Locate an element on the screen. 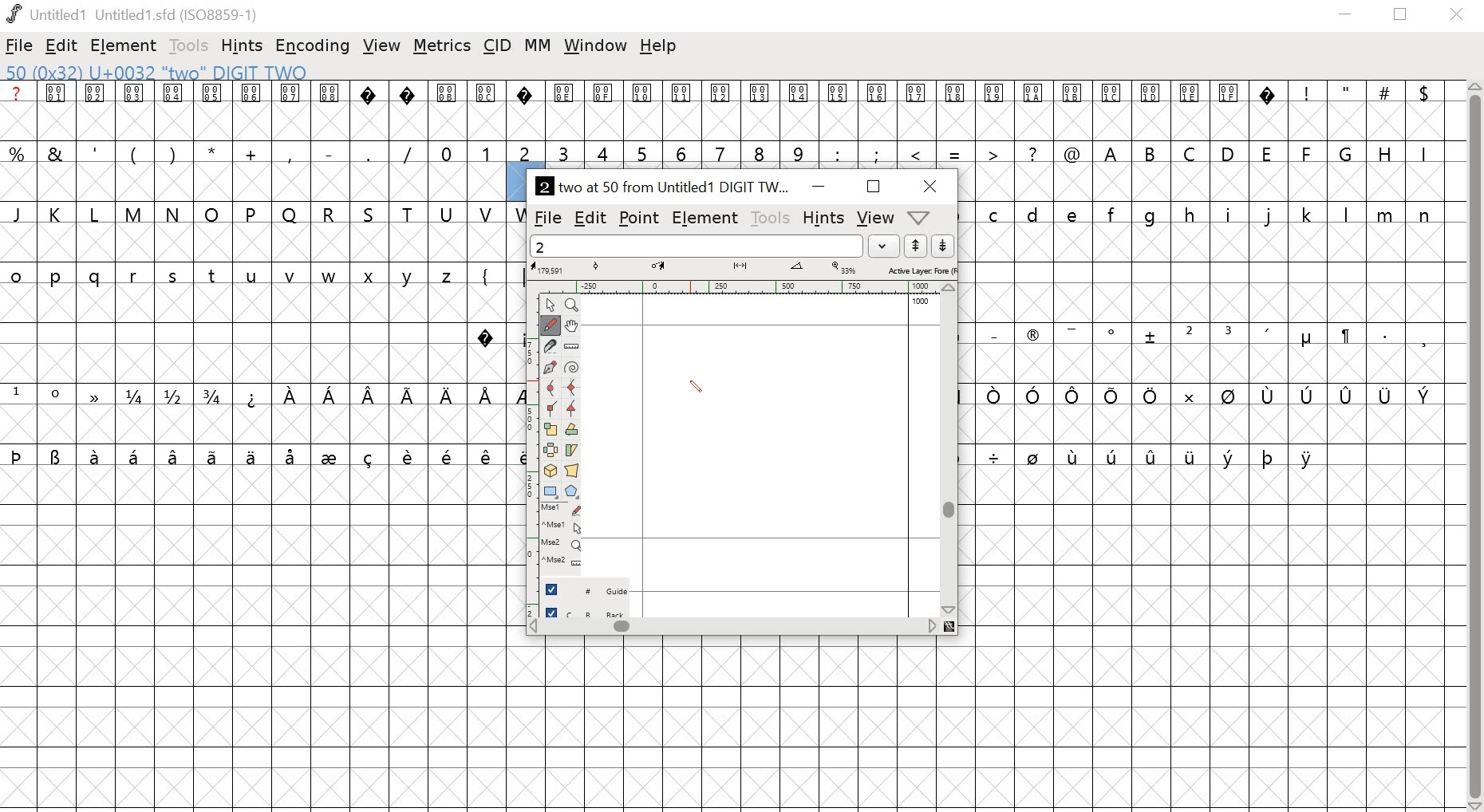 The image size is (1484, 812). glyphs is located at coordinates (982, 122).